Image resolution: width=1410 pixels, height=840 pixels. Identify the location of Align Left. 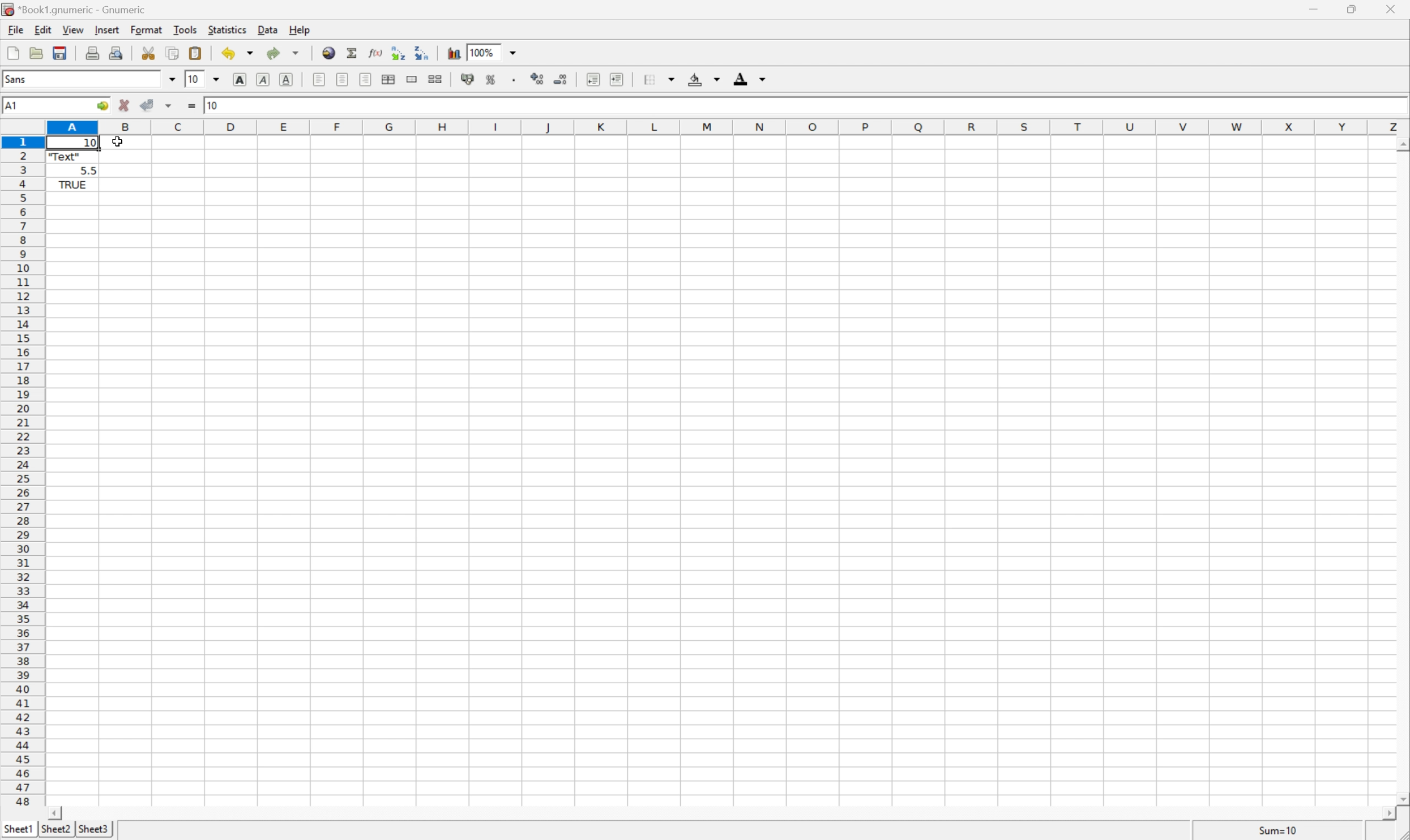
(319, 78).